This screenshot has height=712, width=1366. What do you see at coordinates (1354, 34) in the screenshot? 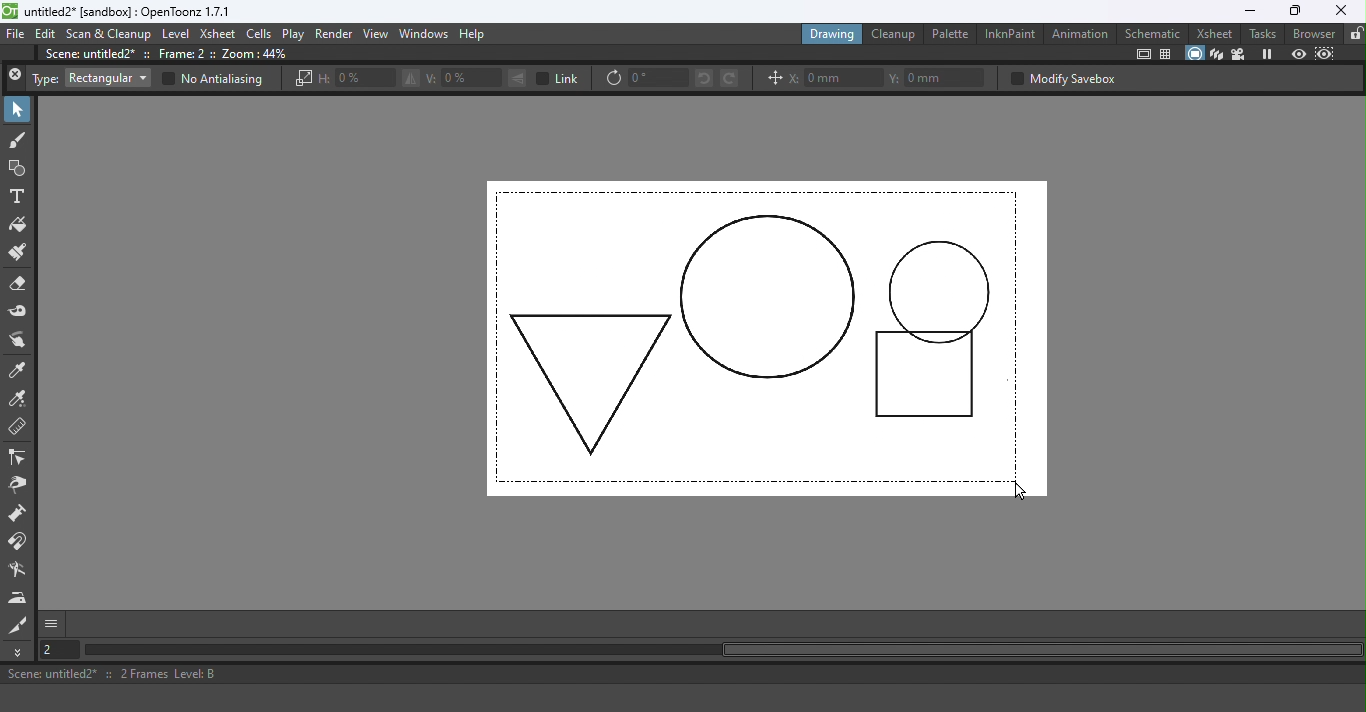
I see `Lock rooms tab` at bounding box center [1354, 34].